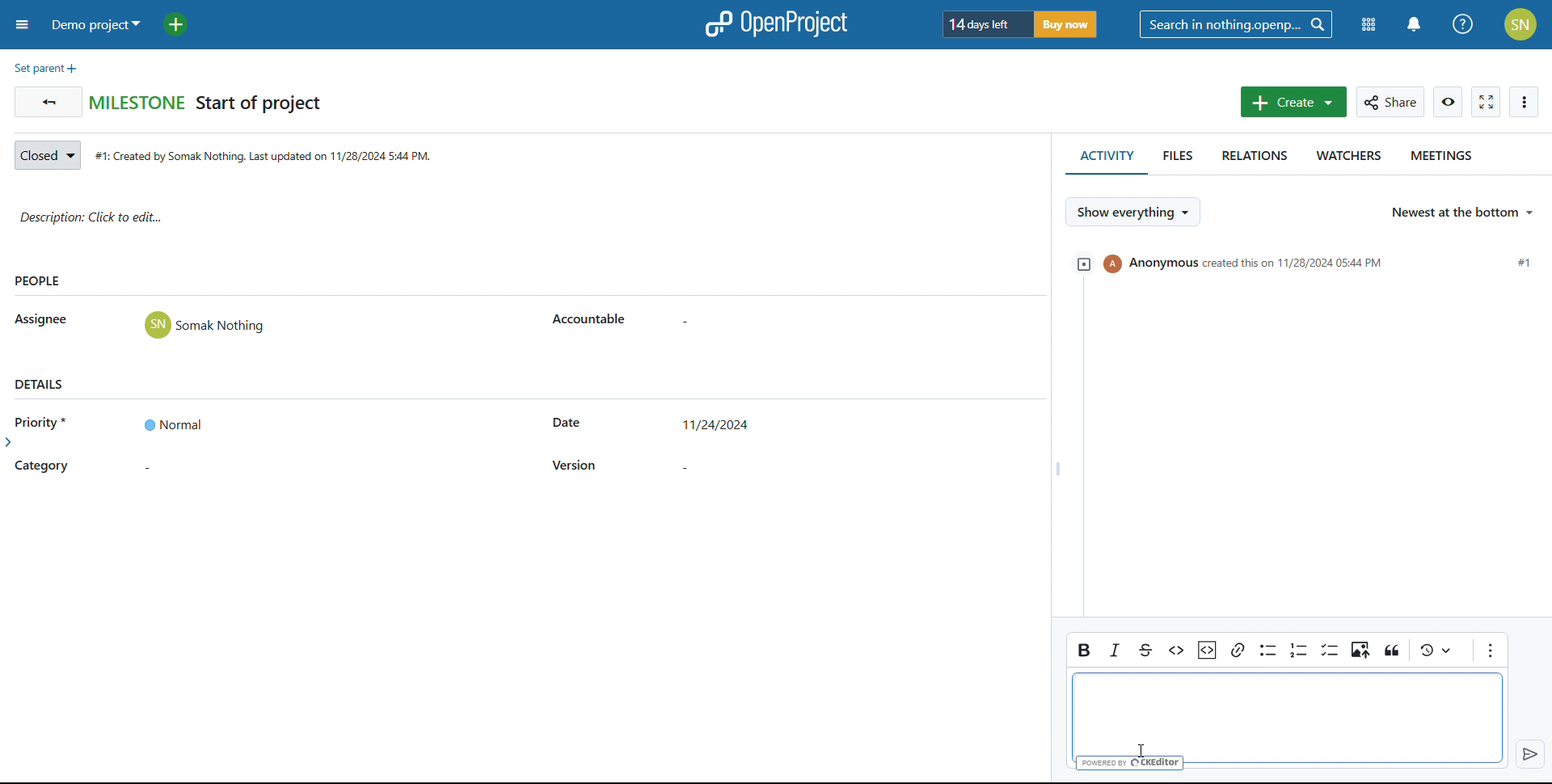  Describe the element at coordinates (1291, 713) in the screenshot. I see `typing space` at that location.